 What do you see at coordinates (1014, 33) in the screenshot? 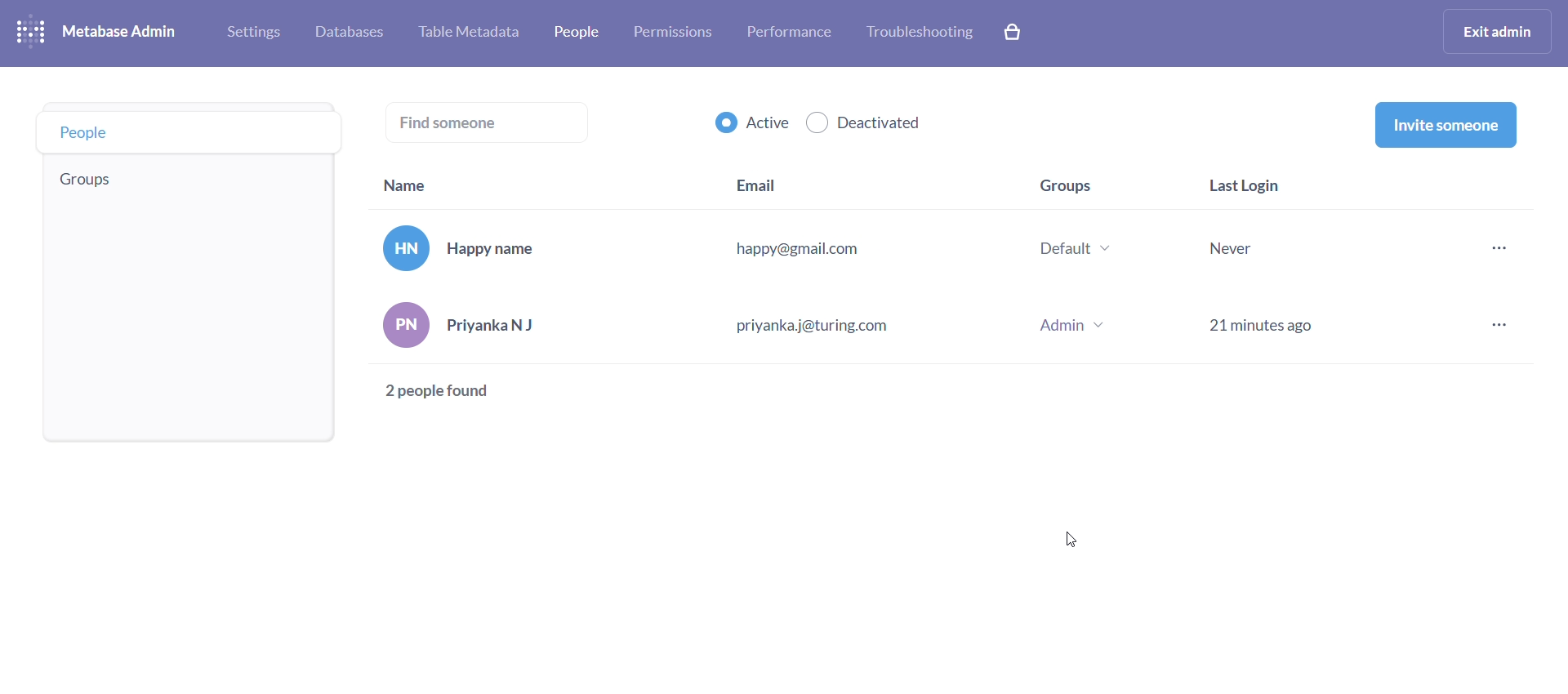
I see `explore paid features` at bounding box center [1014, 33].